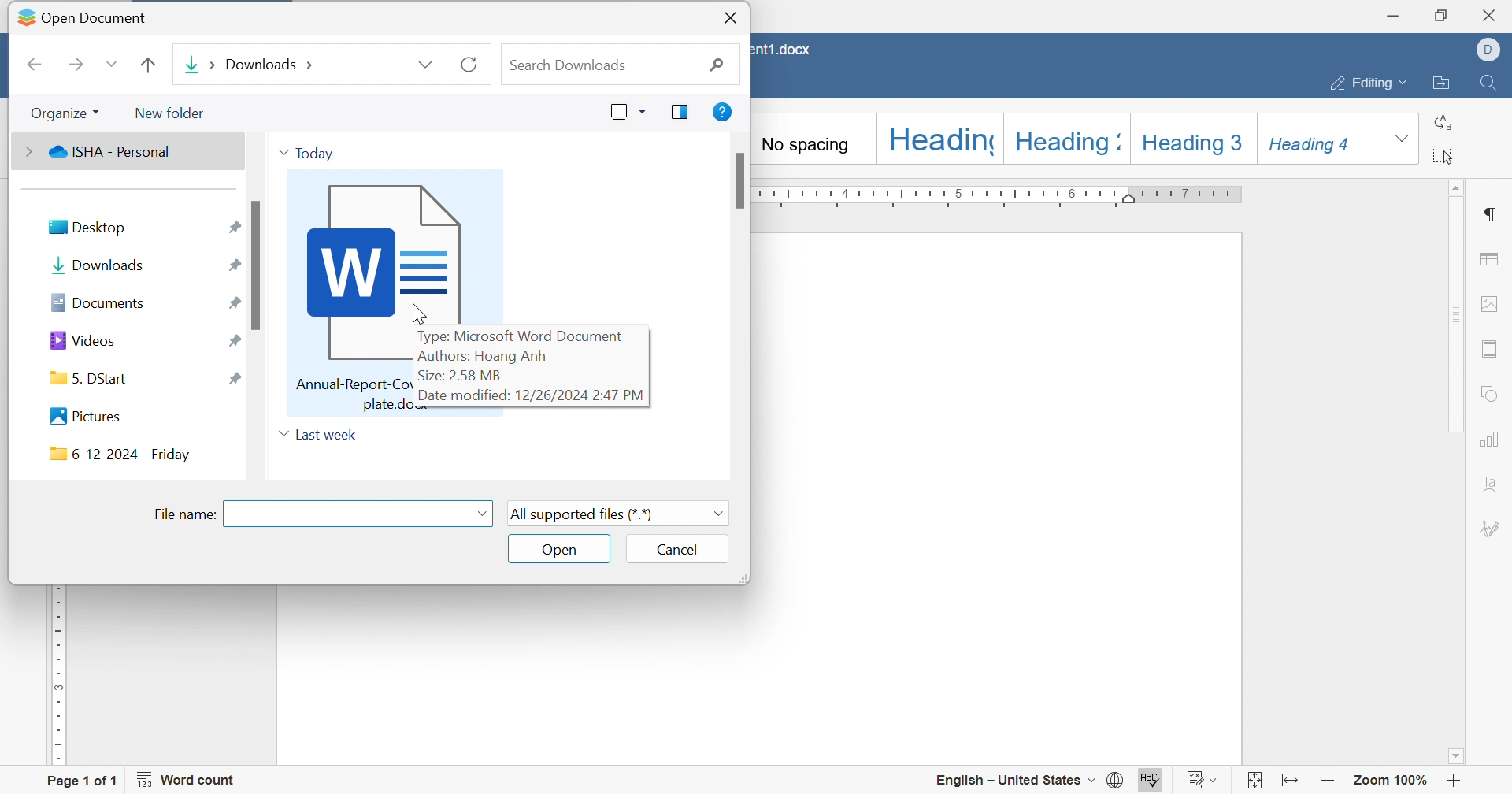 The width and height of the screenshot is (1512, 794). Describe the element at coordinates (310, 63) in the screenshot. I see `downloads` at that location.